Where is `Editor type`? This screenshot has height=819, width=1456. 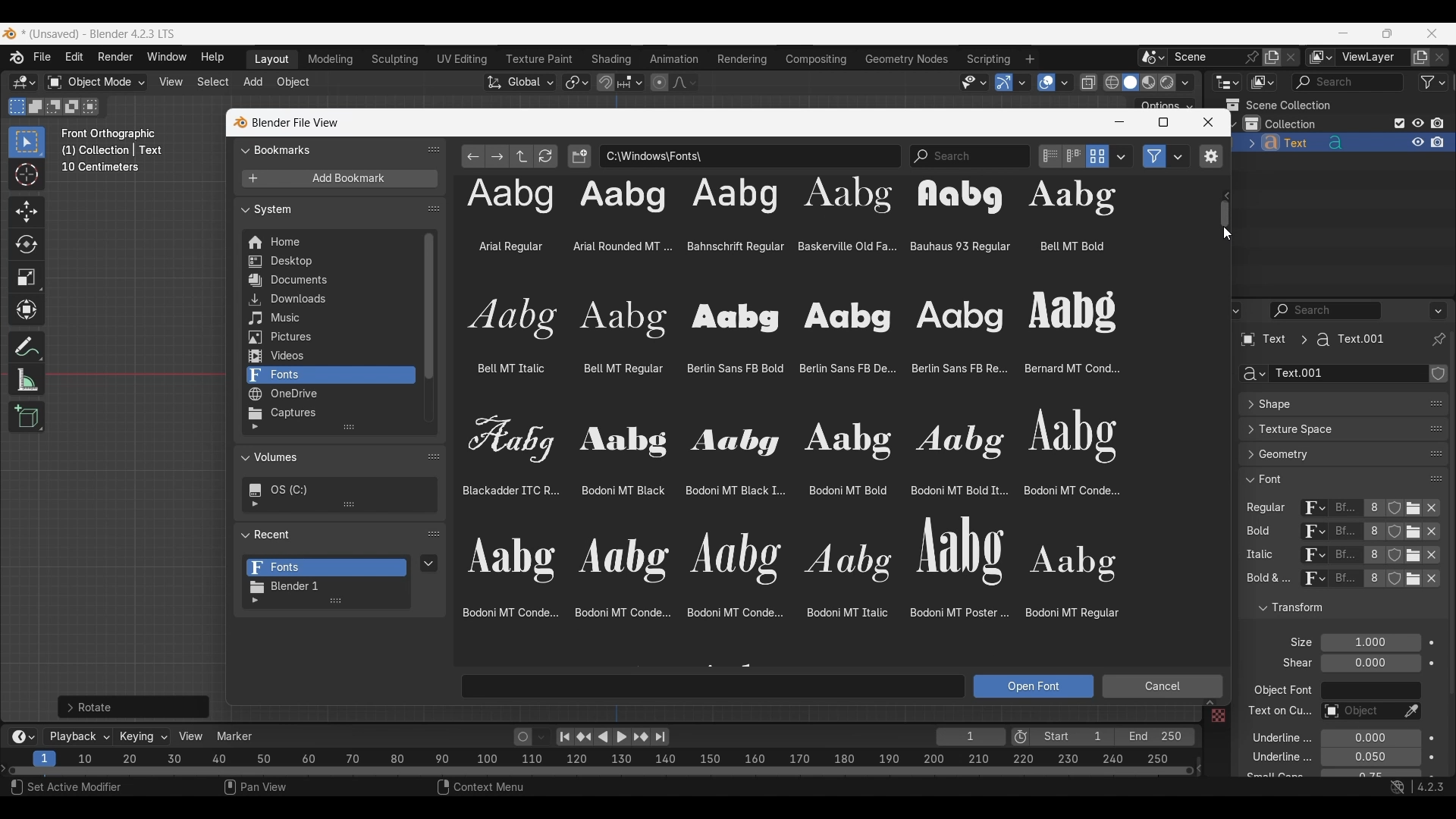 Editor type is located at coordinates (1227, 310).